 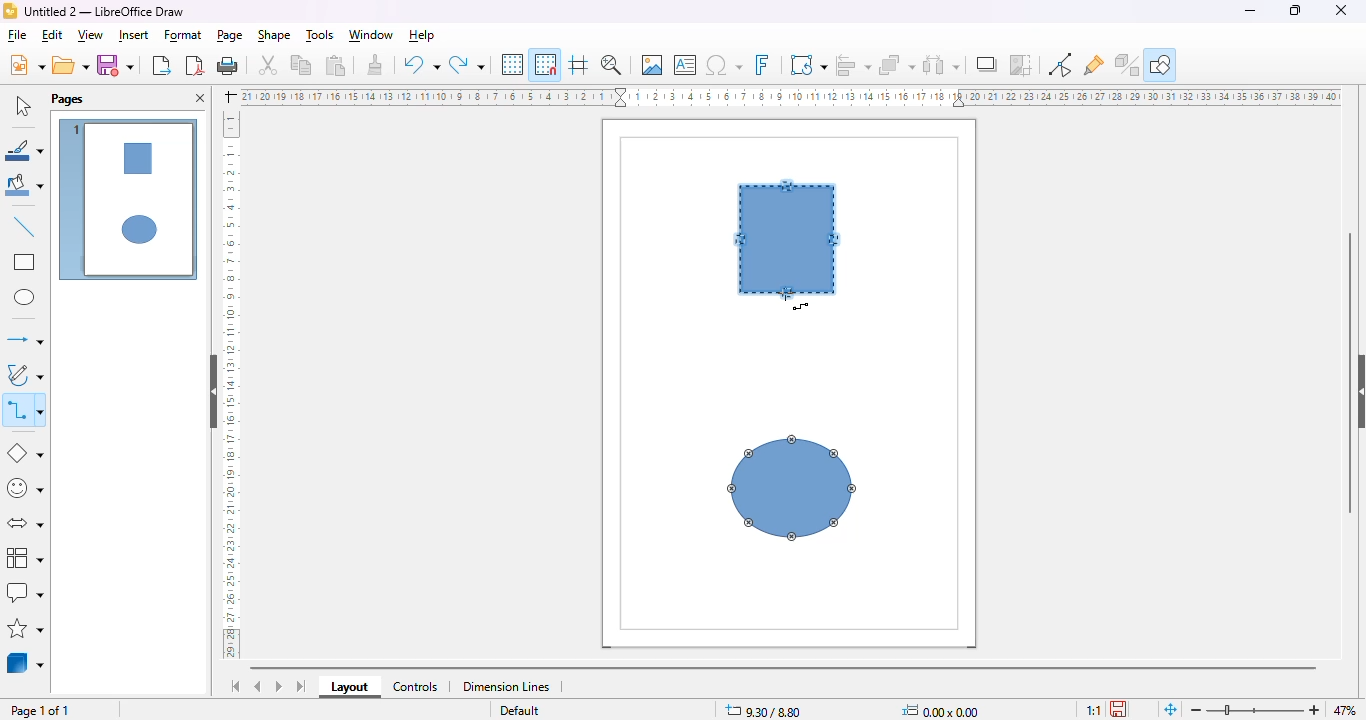 I want to click on dimension lines, so click(x=506, y=686).